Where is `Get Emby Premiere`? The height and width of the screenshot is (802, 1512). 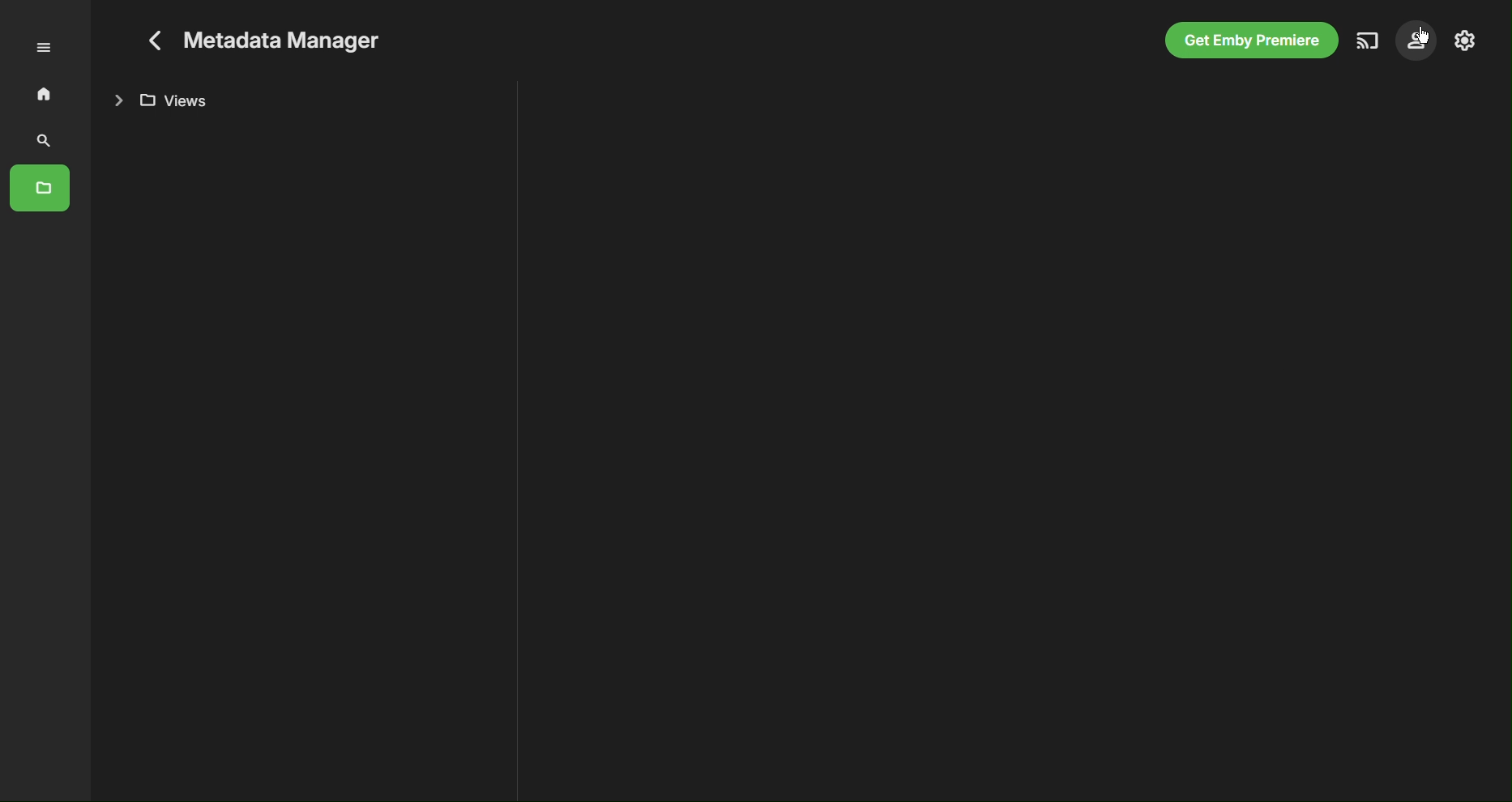
Get Emby Premiere is located at coordinates (1249, 41).